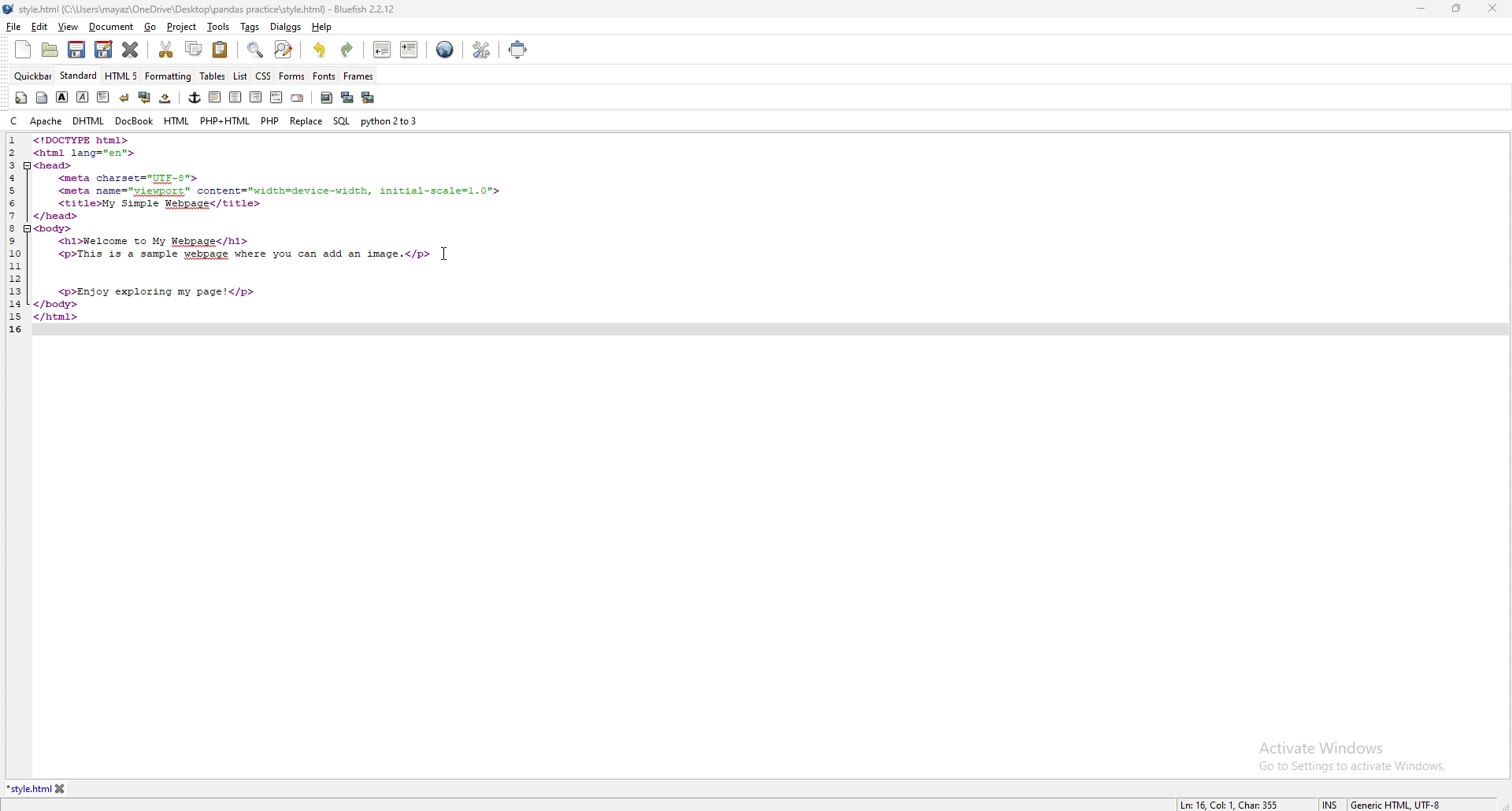 Image resolution: width=1512 pixels, height=811 pixels. I want to click on html comment, so click(277, 98).